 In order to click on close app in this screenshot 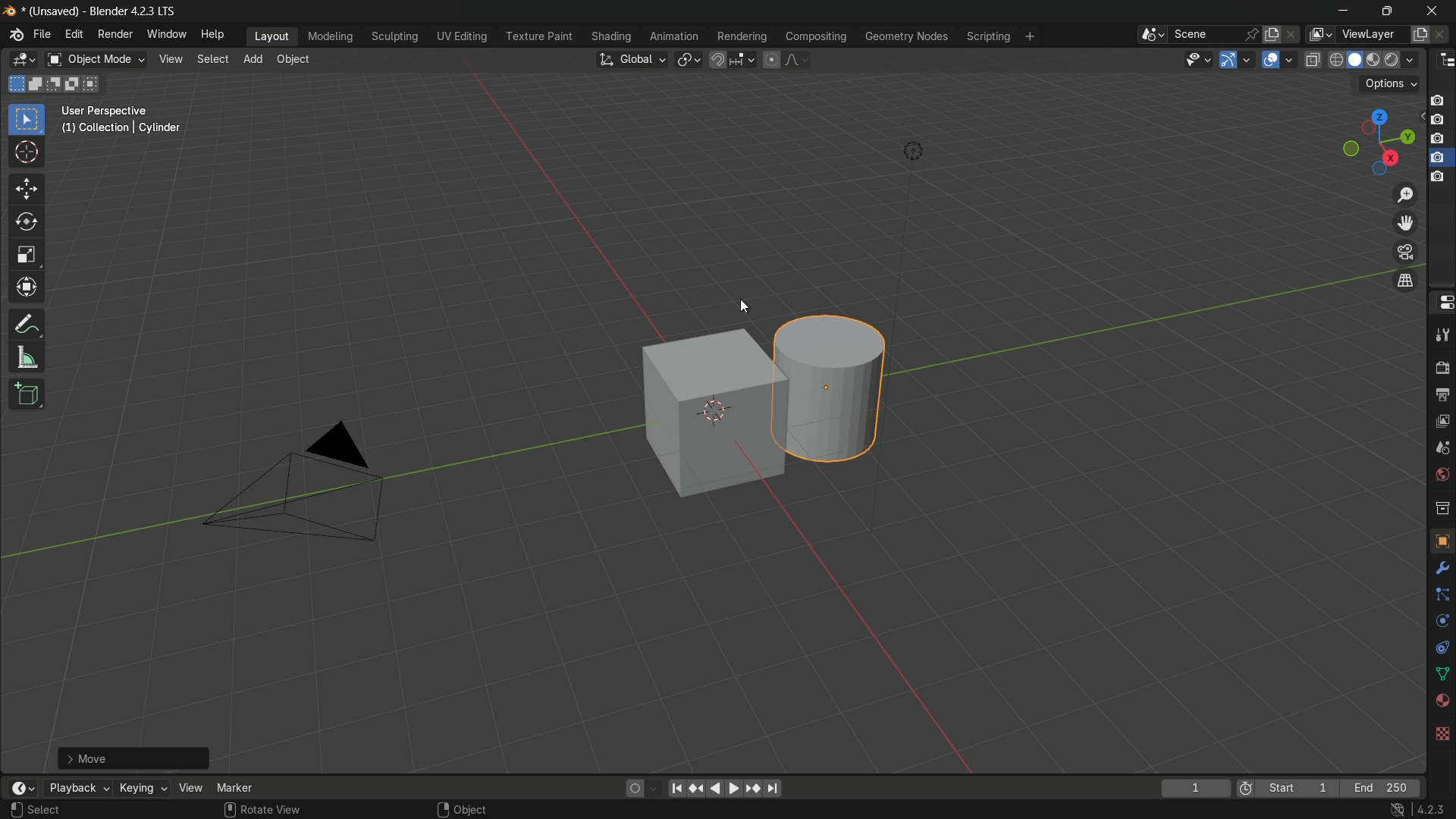, I will do `click(1432, 11)`.